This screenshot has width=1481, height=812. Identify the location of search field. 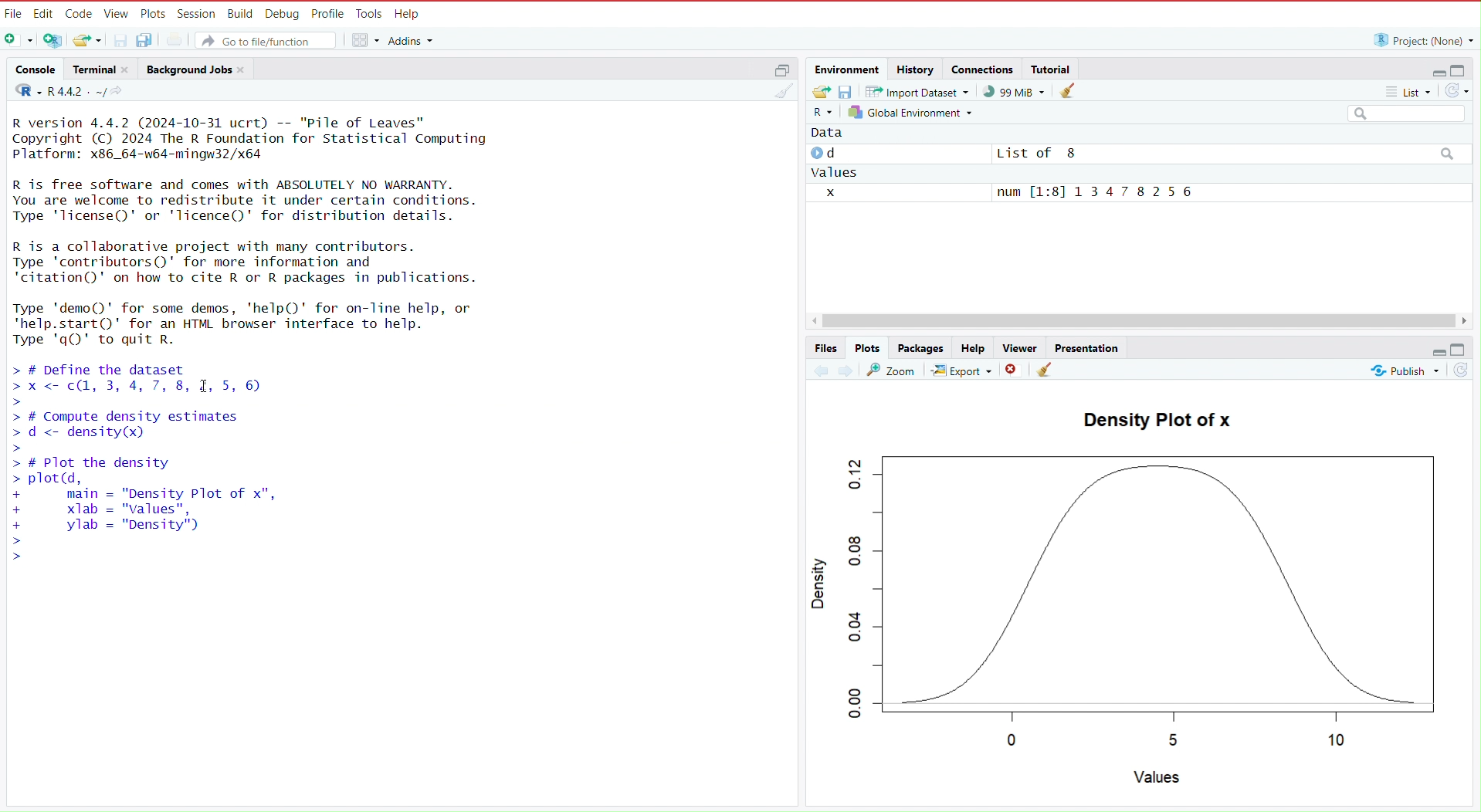
(1409, 114).